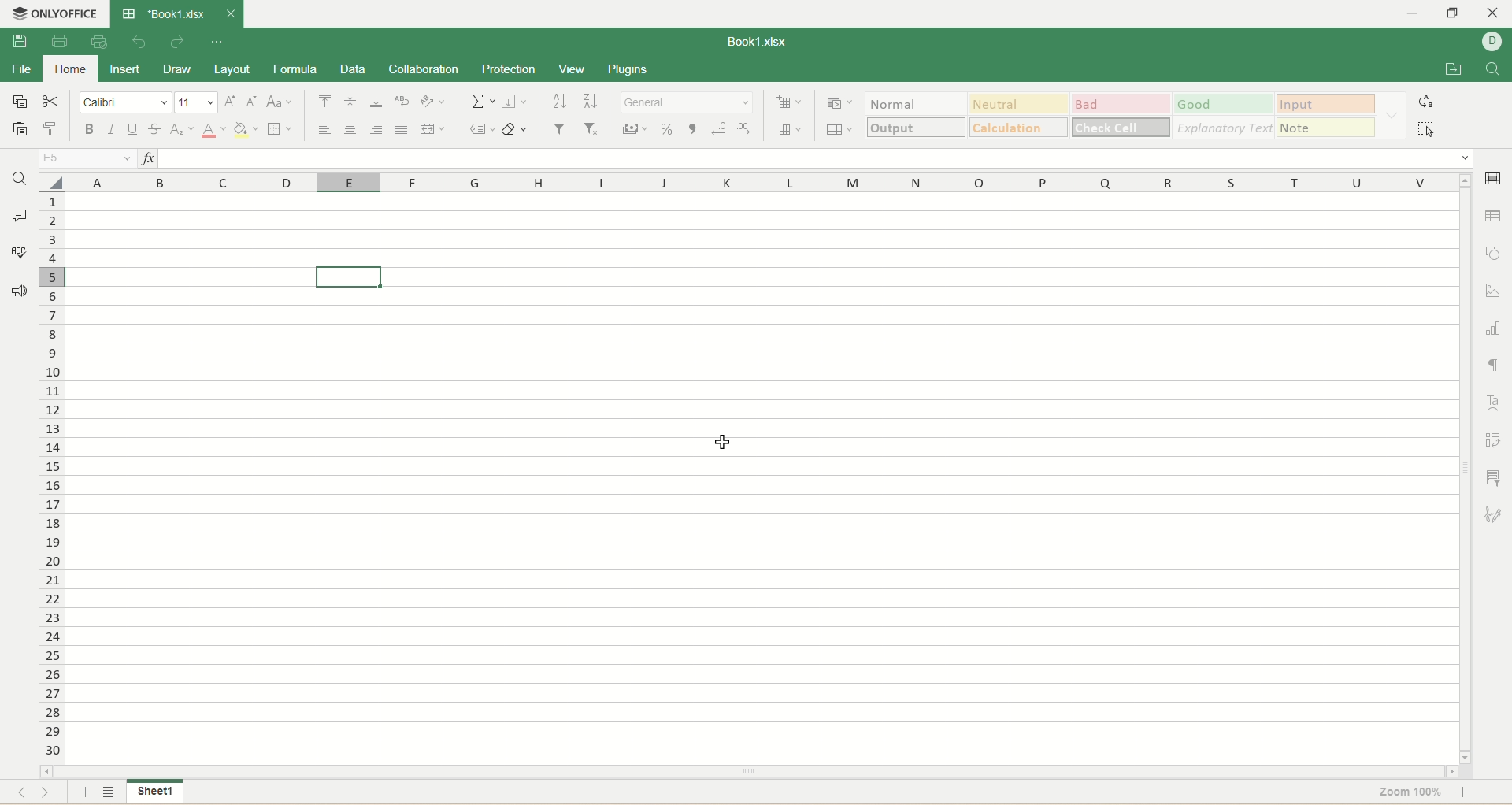 The width and height of the screenshot is (1512, 805). Describe the element at coordinates (23, 794) in the screenshot. I see `previous` at that location.